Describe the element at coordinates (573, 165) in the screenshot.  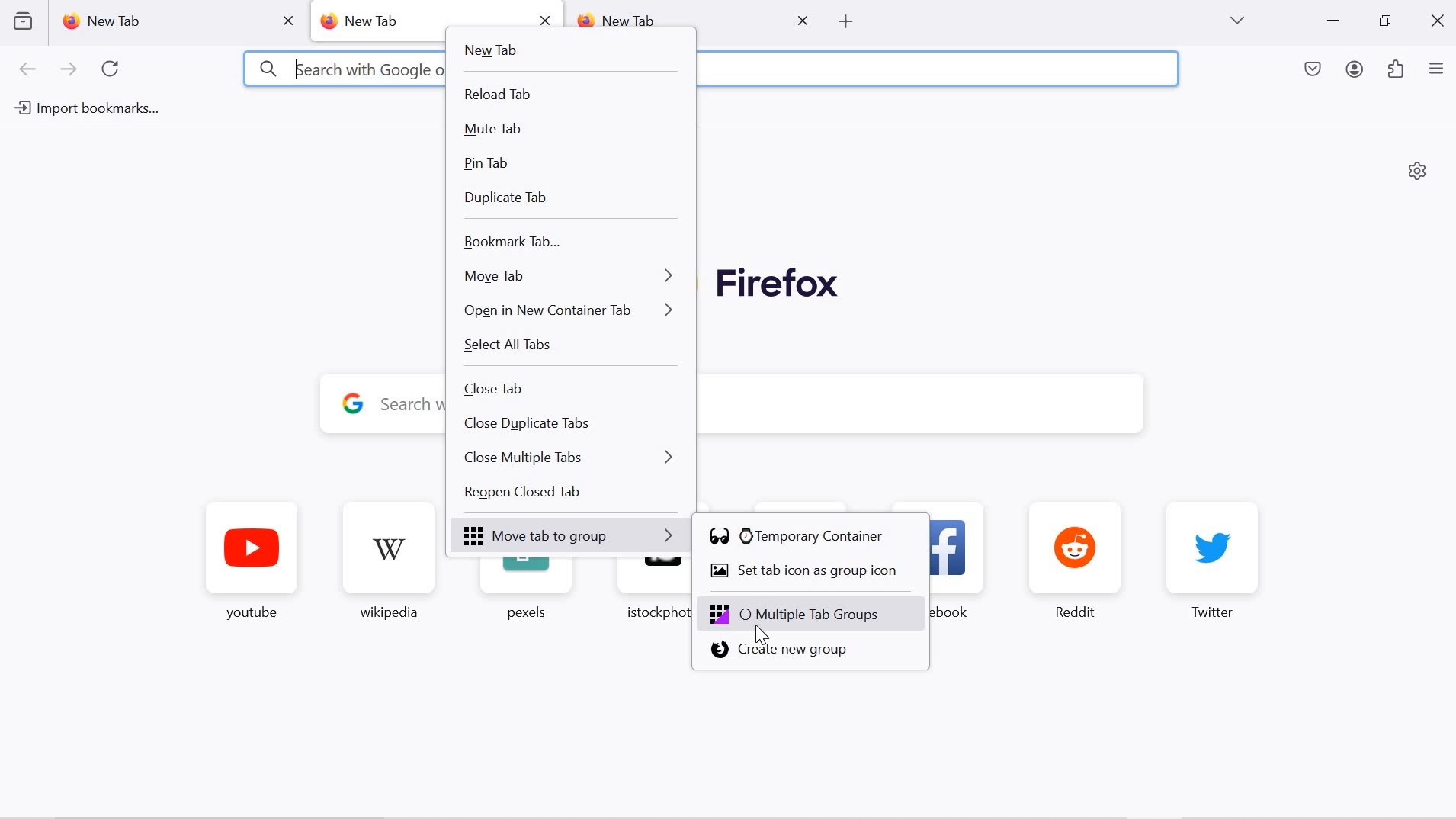
I see `pin tab` at that location.